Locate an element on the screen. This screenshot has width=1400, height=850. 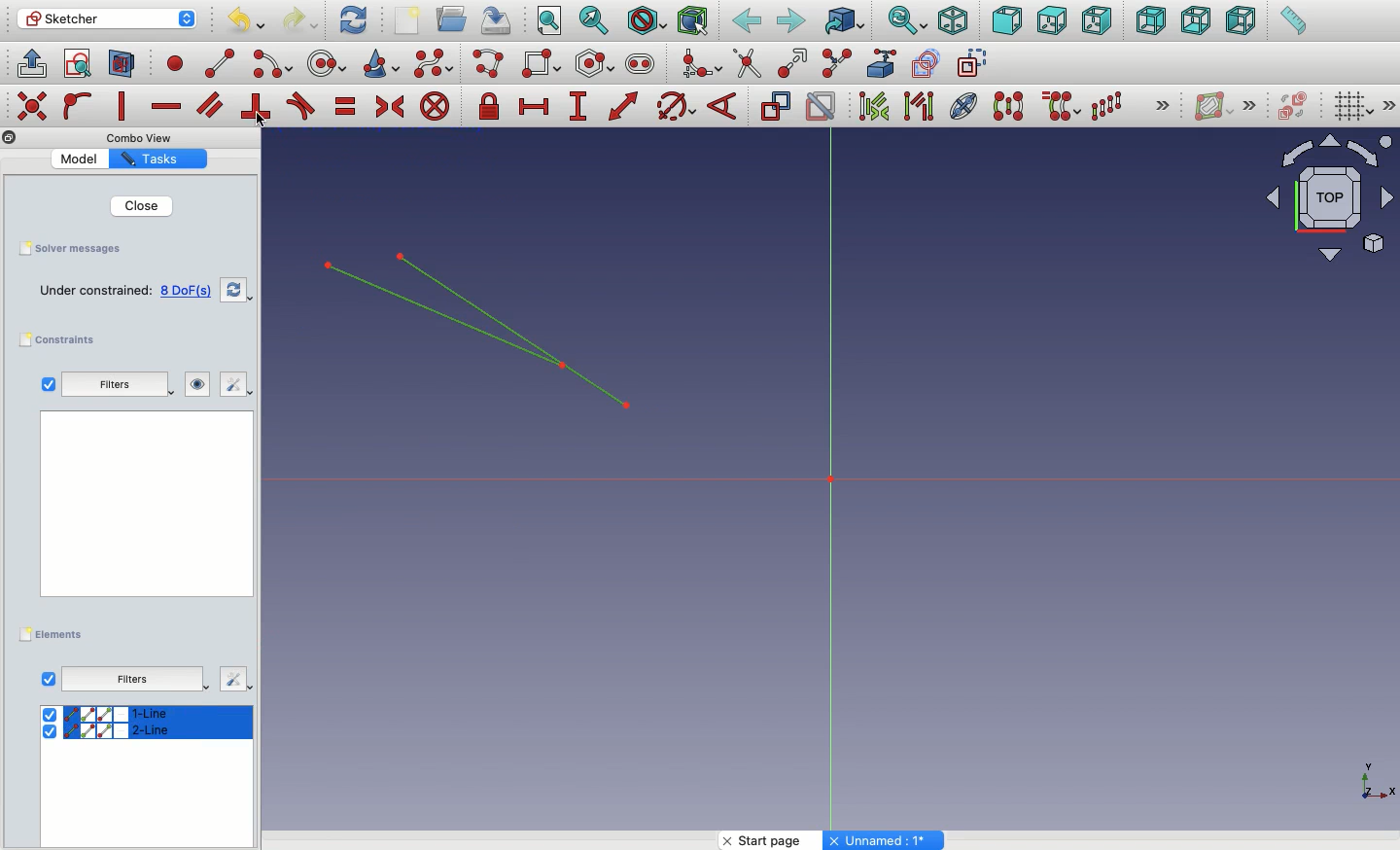
 is located at coordinates (30, 104).